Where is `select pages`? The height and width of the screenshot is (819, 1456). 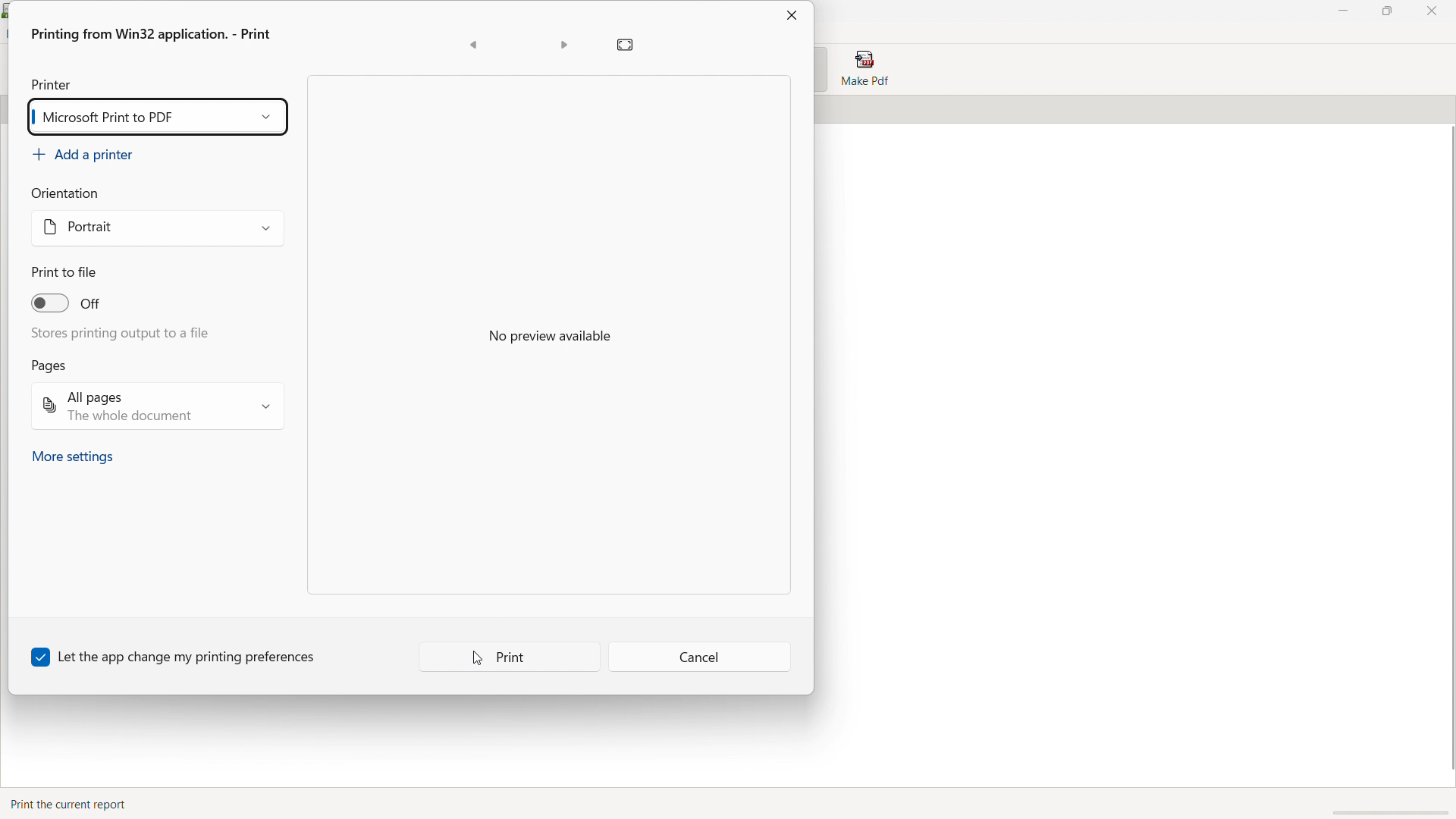 select pages is located at coordinates (156, 406).